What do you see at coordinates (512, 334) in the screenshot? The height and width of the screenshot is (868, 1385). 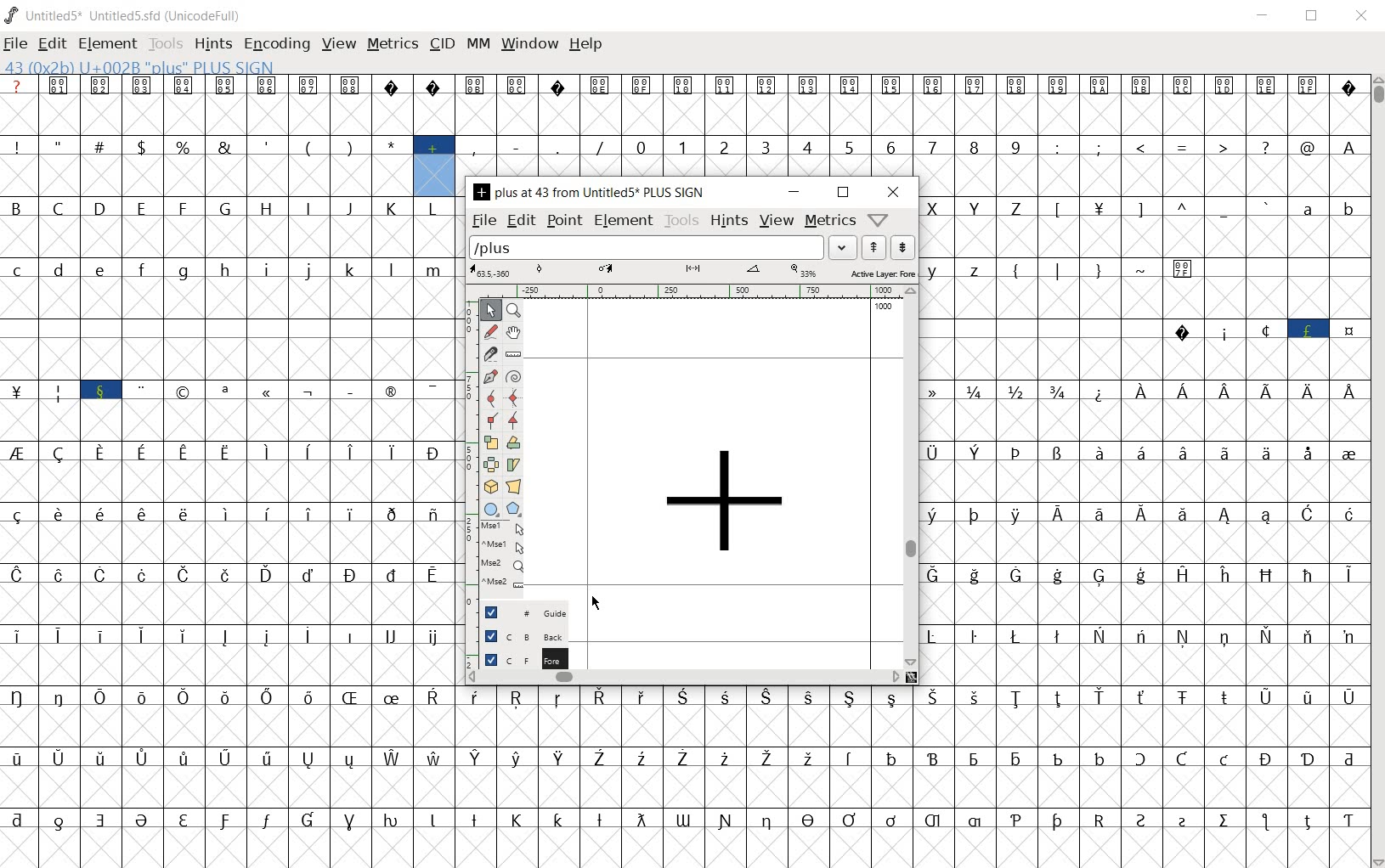 I see `scroll by hand` at bounding box center [512, 334].